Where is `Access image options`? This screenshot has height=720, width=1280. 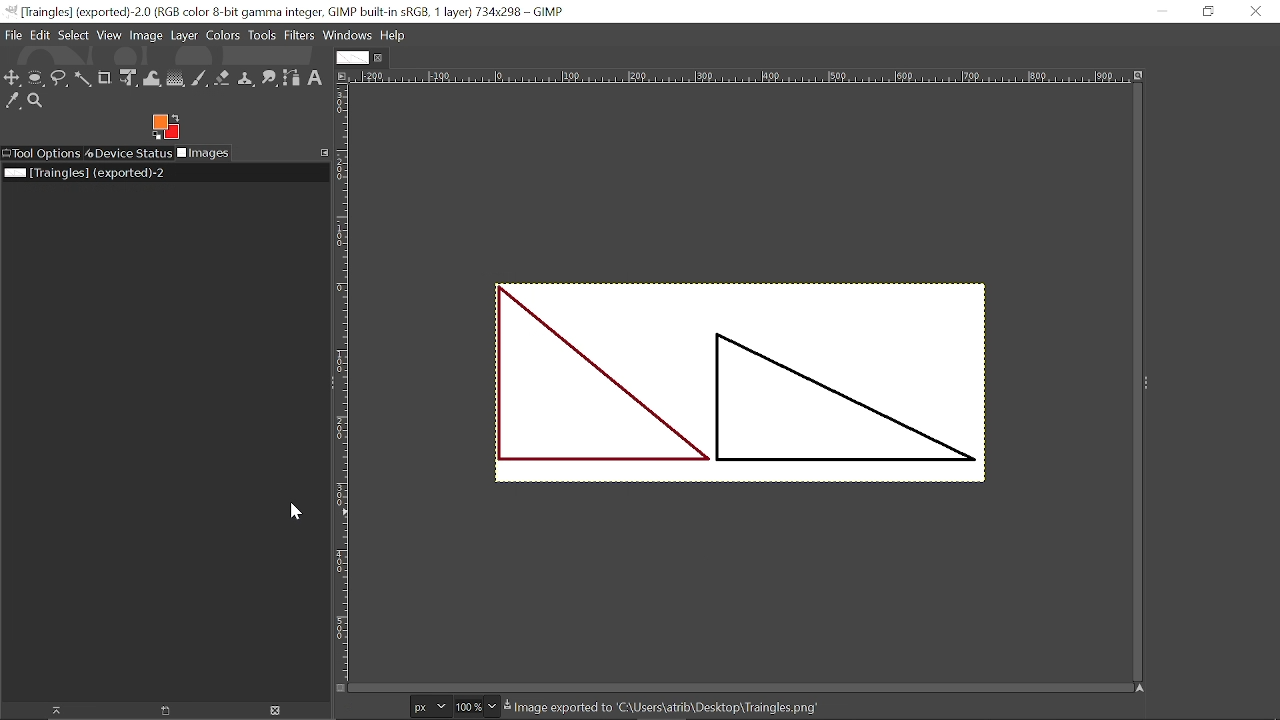 Access image options is located at coordinates (340, 75).